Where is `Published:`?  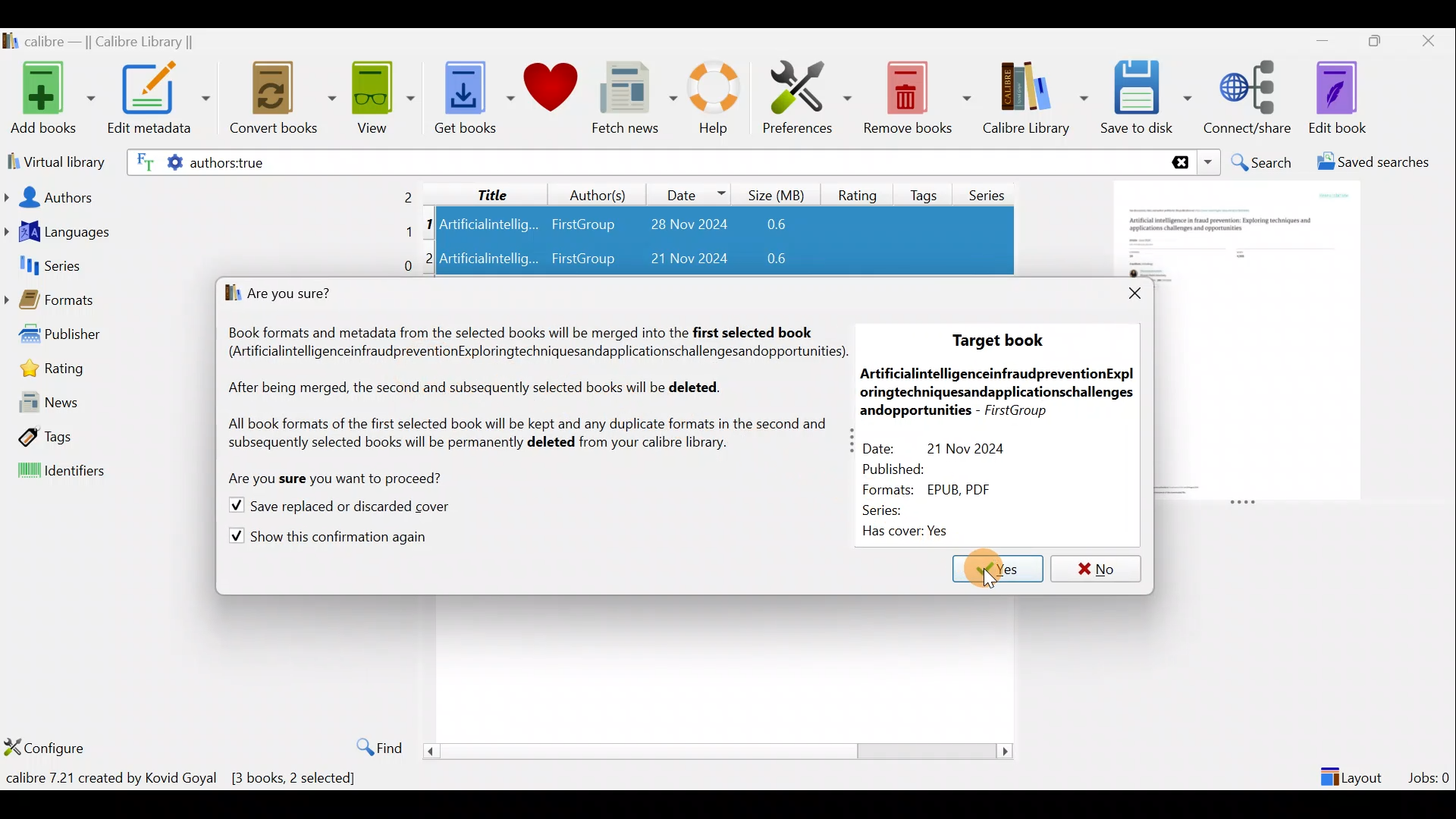 Published: is located at coordinates (904, 468).